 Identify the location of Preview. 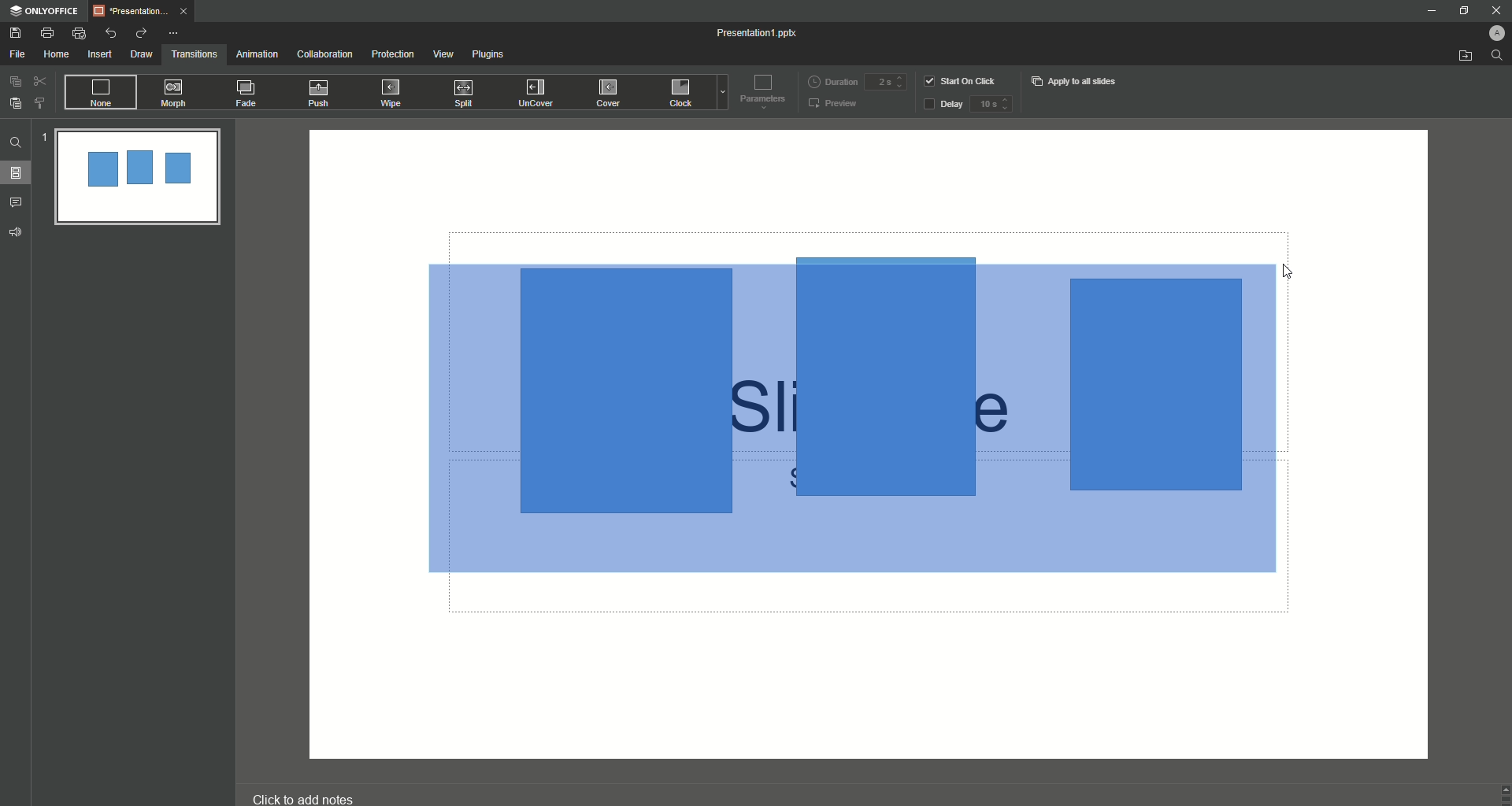
(834, 105).